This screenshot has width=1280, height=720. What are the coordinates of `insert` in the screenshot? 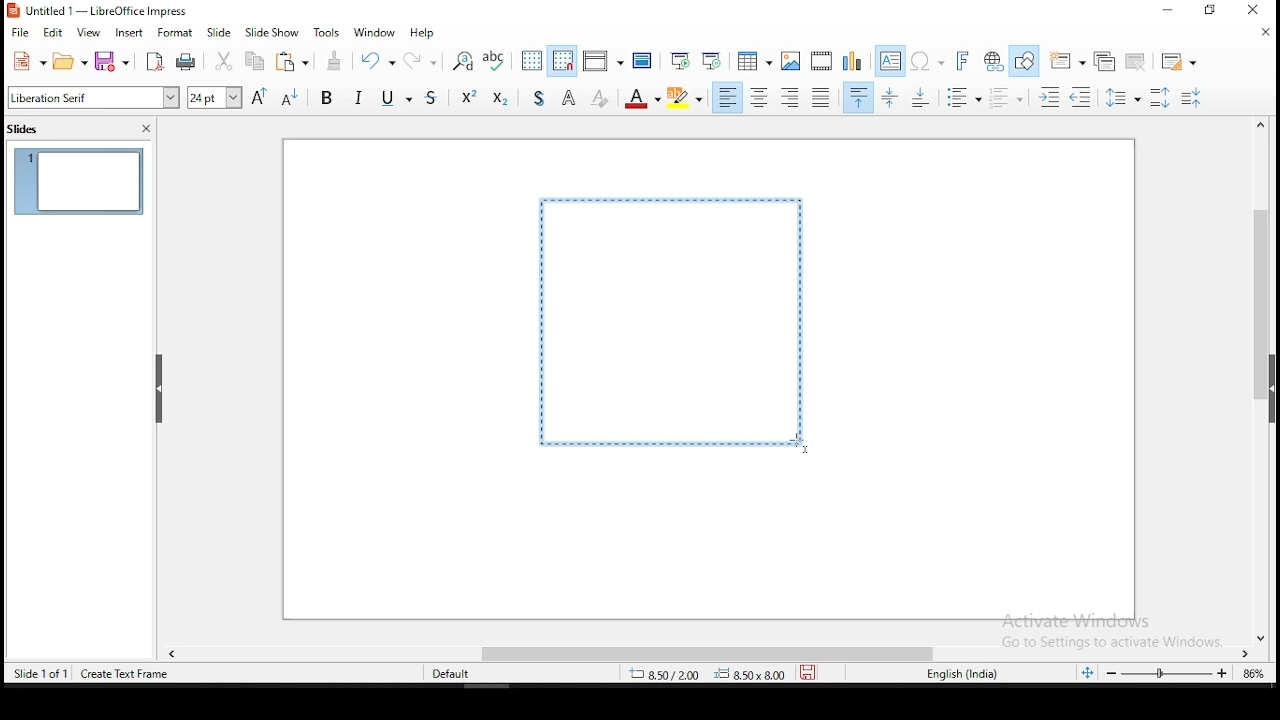 It's located at (131, 35).